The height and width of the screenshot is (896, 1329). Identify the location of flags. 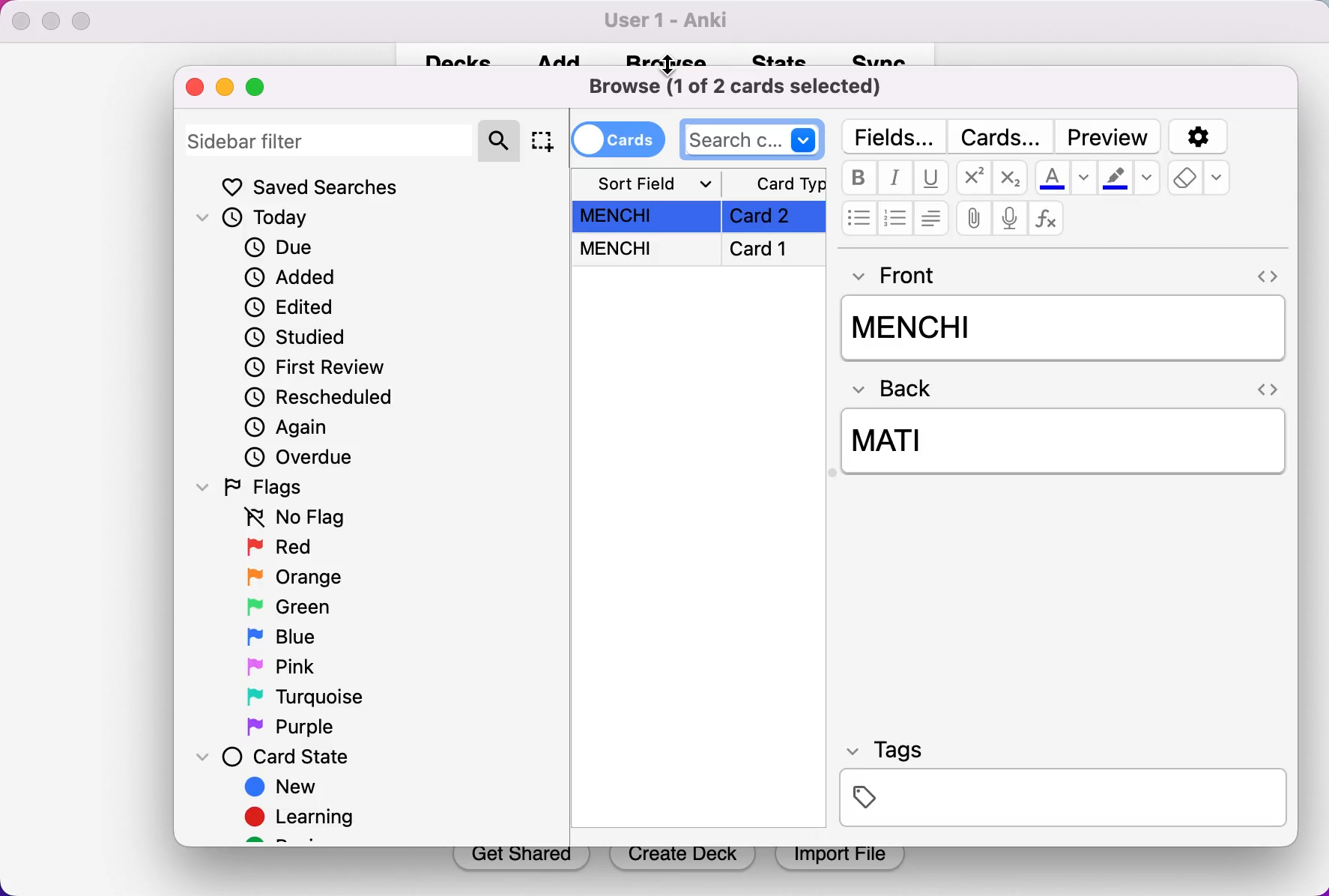
(265, 488).